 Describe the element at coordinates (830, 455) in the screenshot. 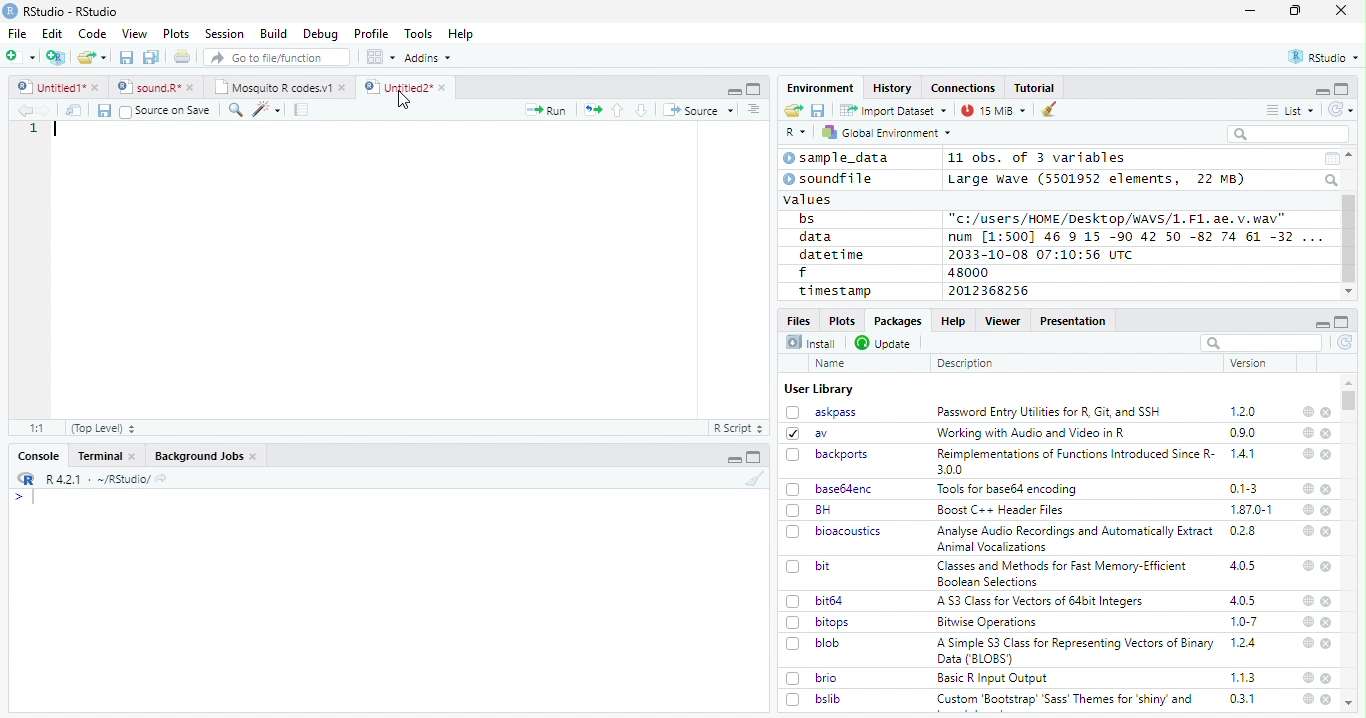

I see `backports` at that location.